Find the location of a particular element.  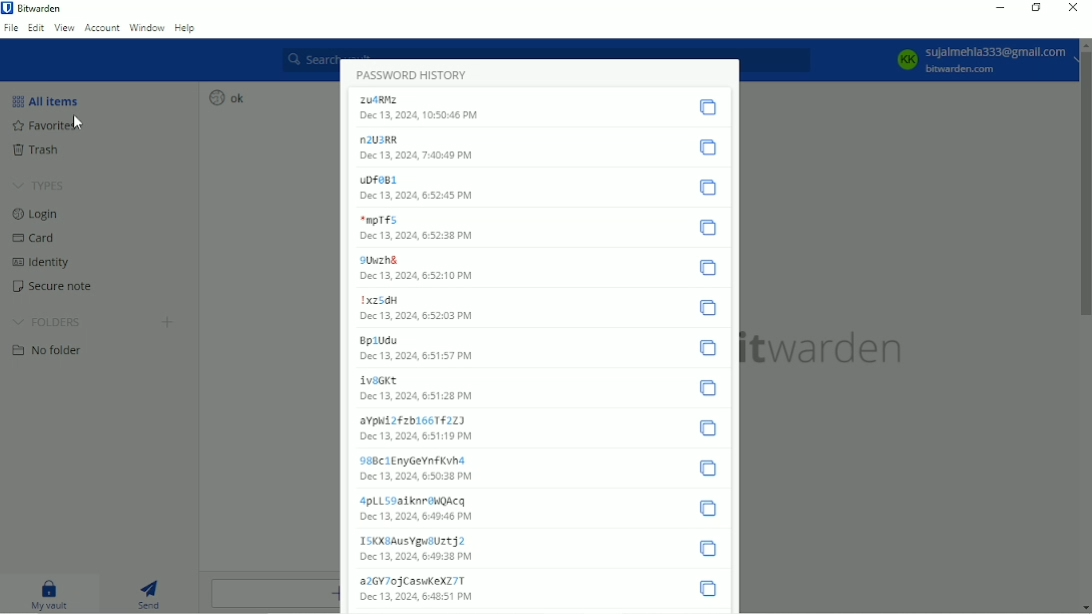

Copy password is located at coordinates (708, 147).